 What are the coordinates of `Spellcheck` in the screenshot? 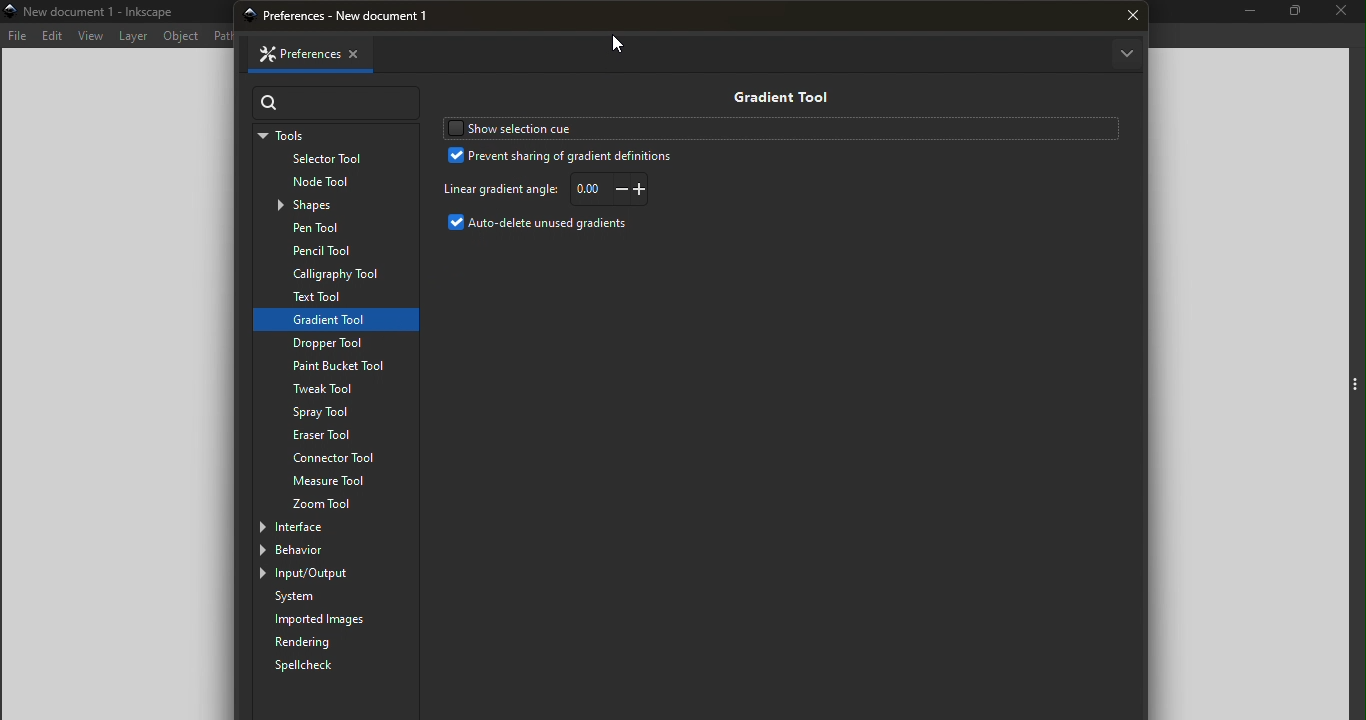 It's located at (316, 666).